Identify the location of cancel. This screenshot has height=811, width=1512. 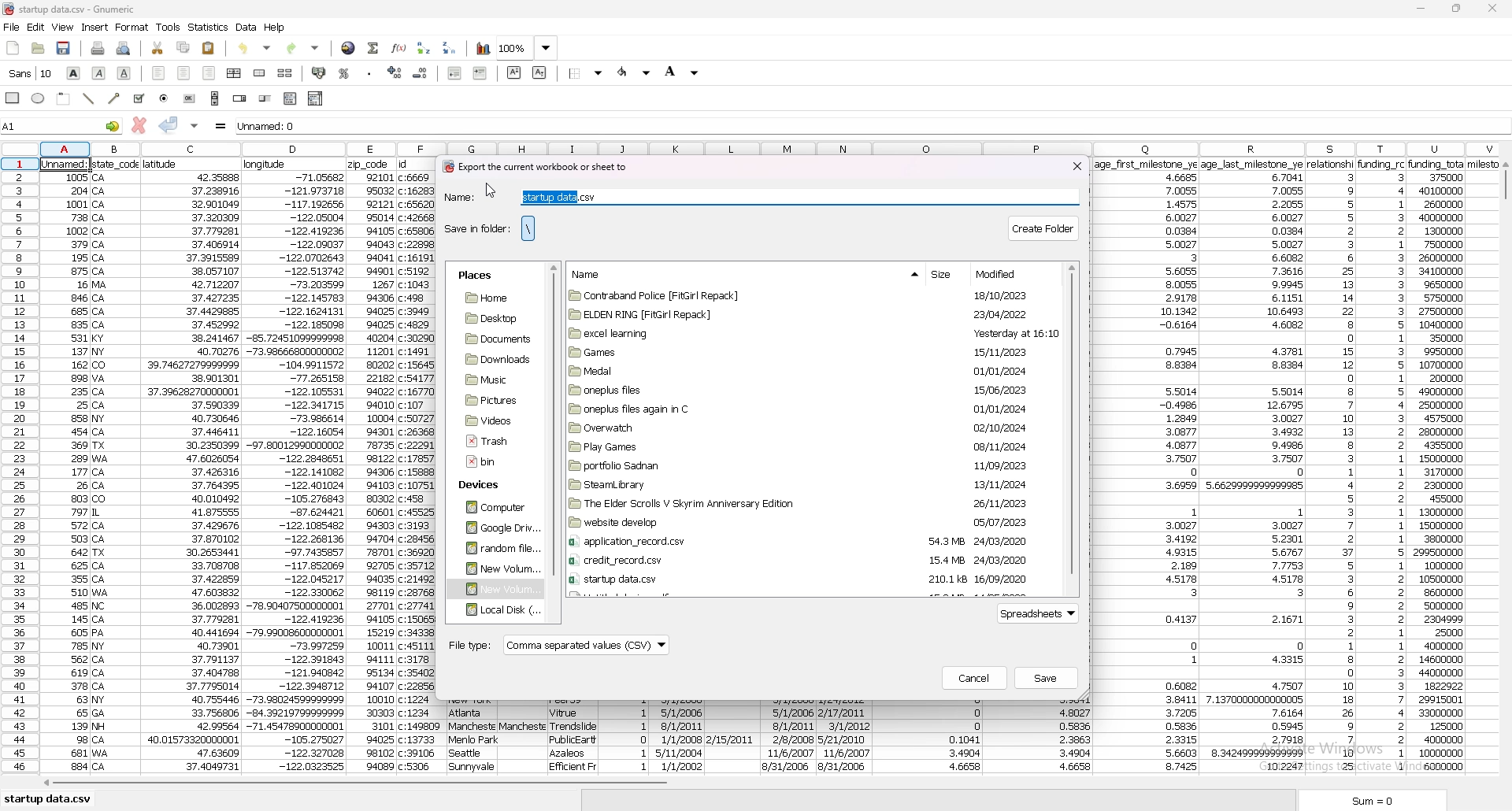
(974, 678).